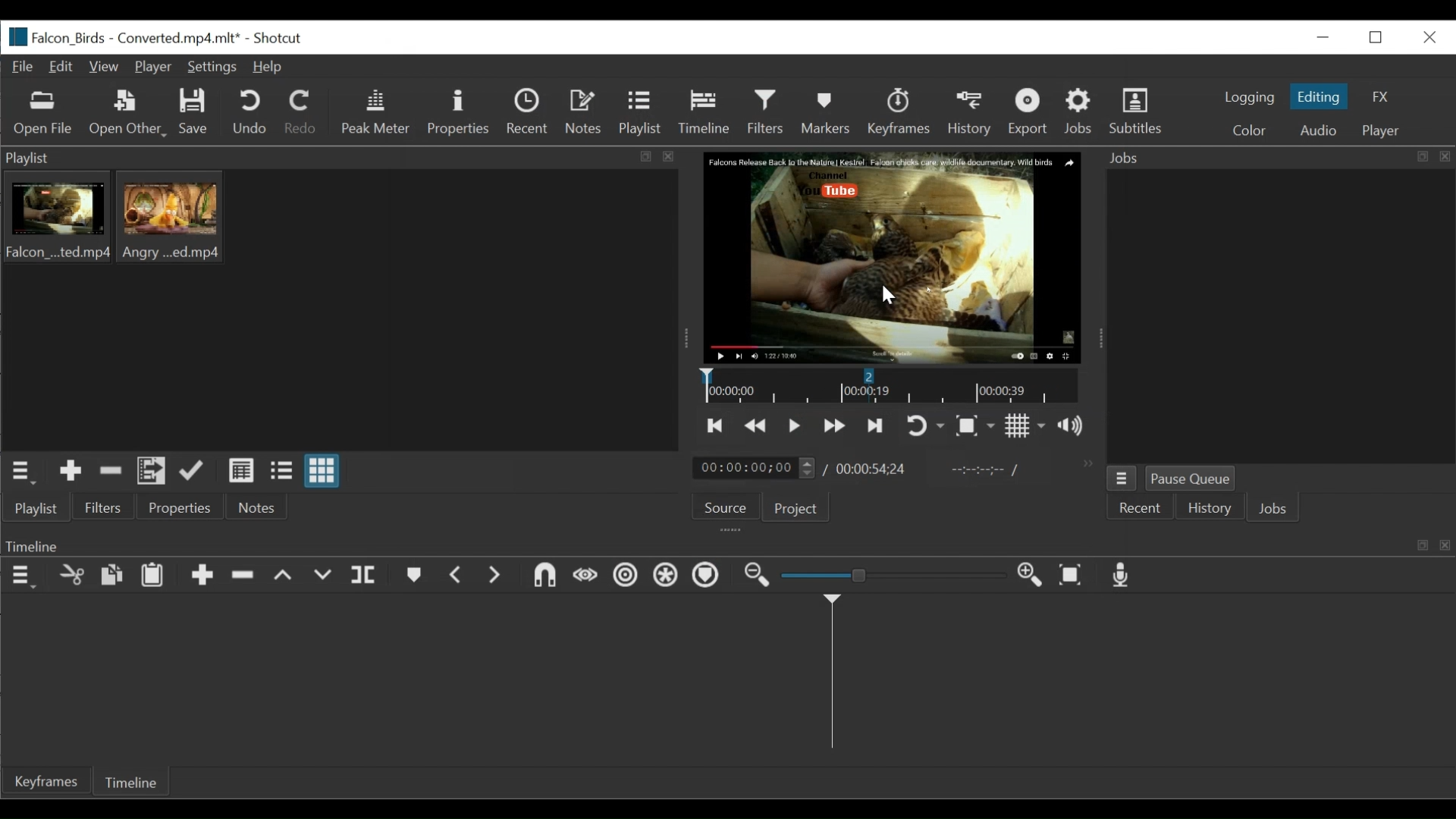 The height and width of the screenshot is (819, 1456). I want to click on Help, so click(267, 68).